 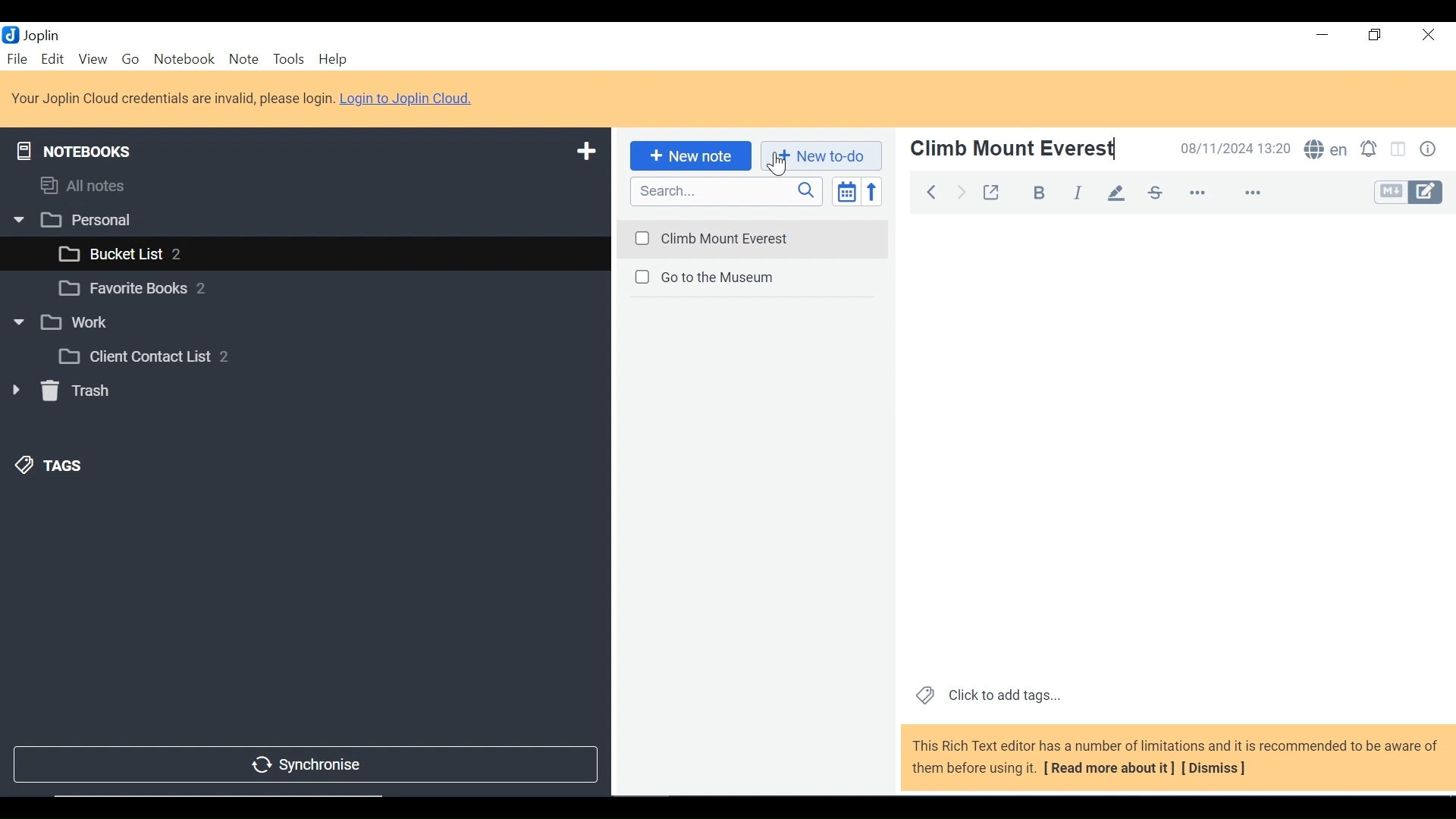 I want to click on More, so click(x=1223, y=193).